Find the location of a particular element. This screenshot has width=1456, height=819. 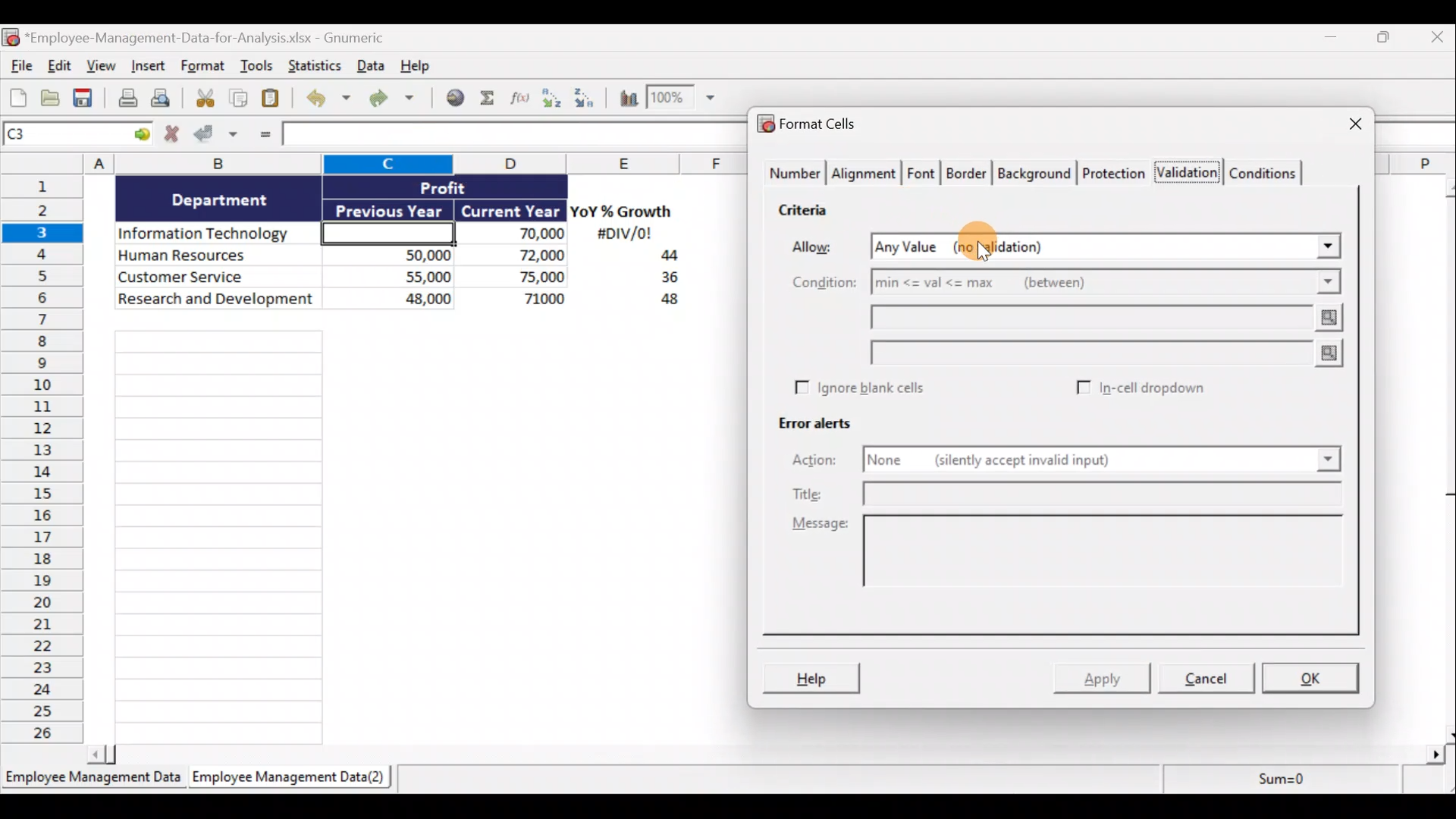

44 is located at coordinates (661, 257).